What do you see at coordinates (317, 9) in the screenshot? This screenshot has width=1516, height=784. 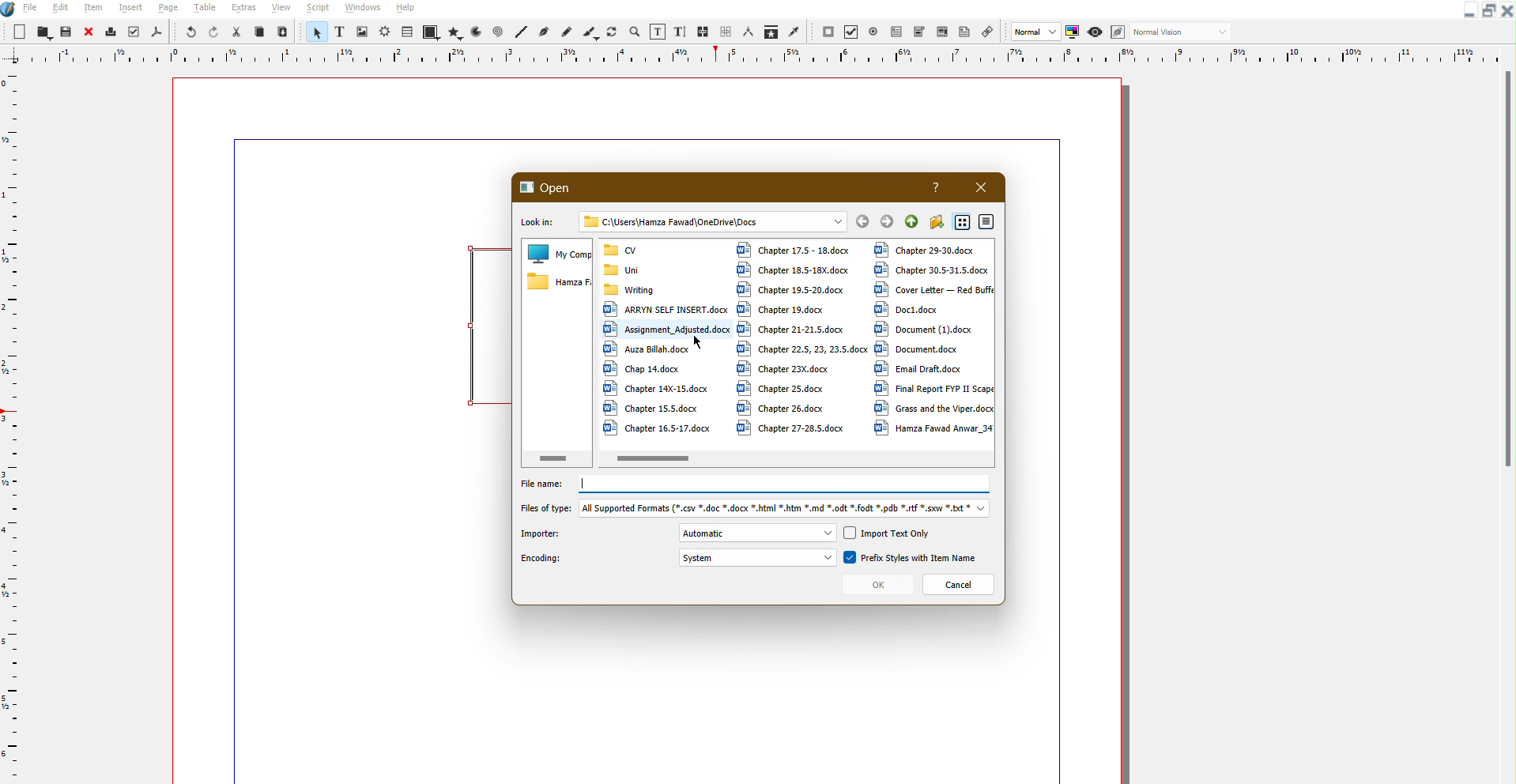 I see `Script` at bounding box center [317, 9].